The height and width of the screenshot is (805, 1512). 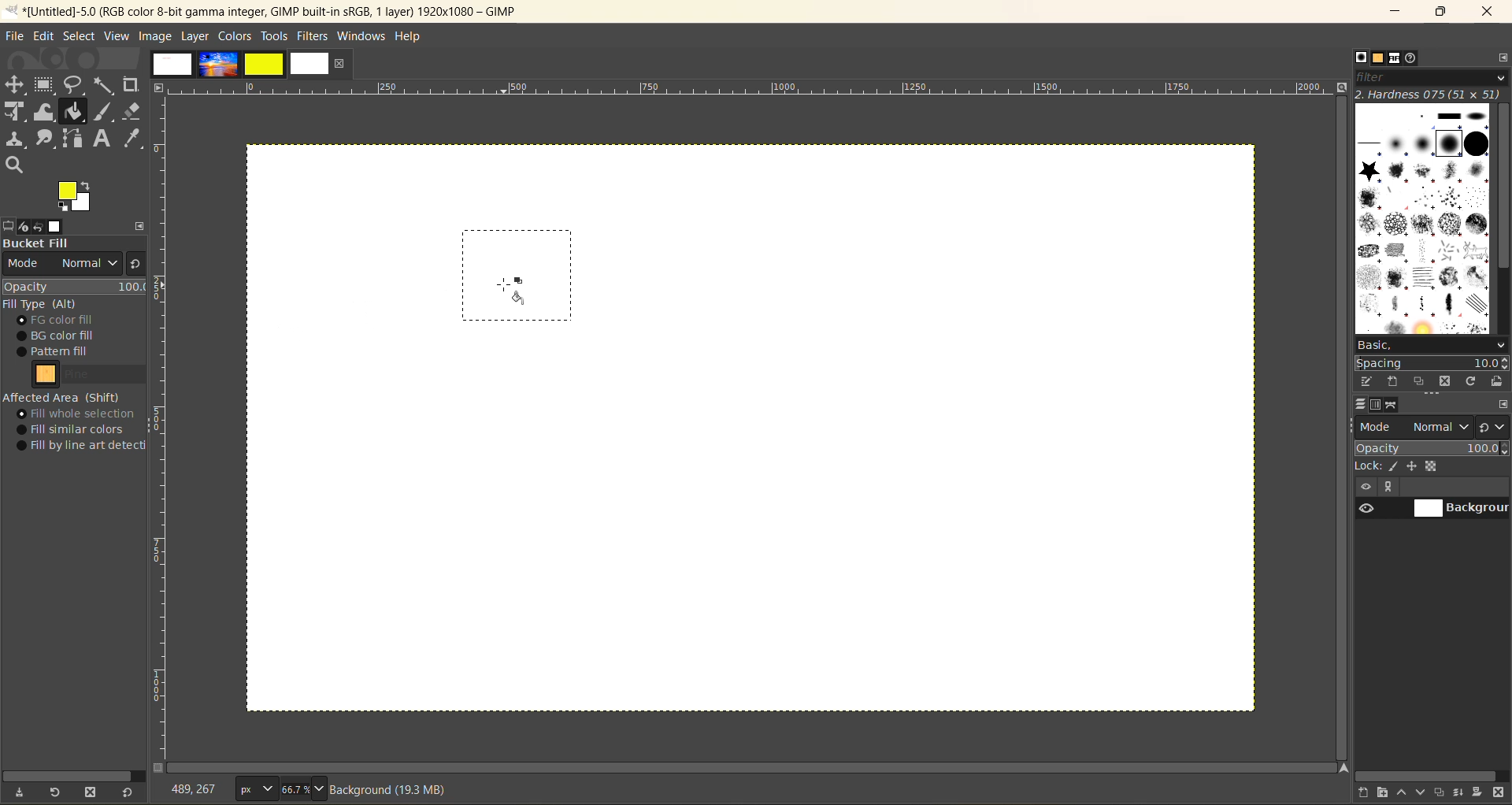 I want to click on shape created, so click(x=517, y=273).